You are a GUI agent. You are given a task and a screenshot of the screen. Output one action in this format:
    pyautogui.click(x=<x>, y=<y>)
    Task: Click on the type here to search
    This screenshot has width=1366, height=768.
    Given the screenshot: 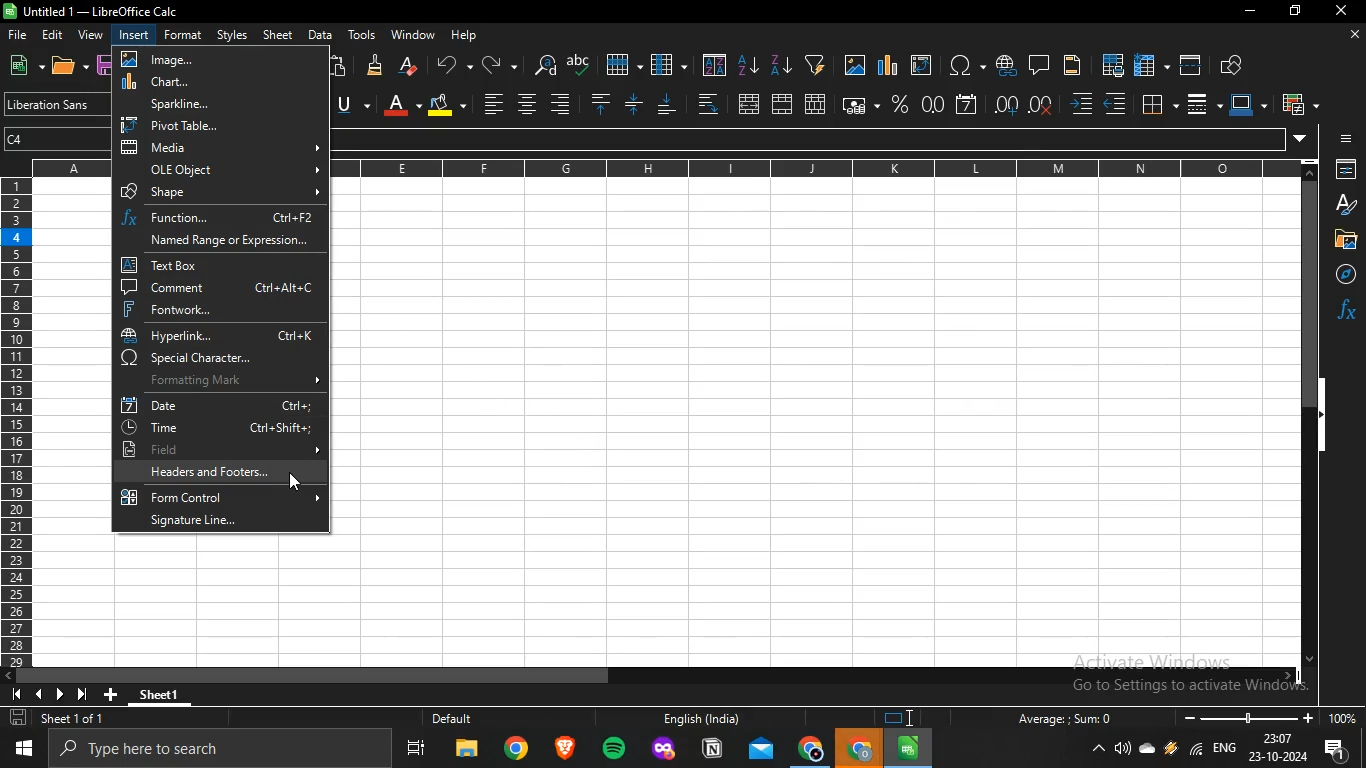 What is the action you would take?
    pyautogui.click(x=225, y=750)
    